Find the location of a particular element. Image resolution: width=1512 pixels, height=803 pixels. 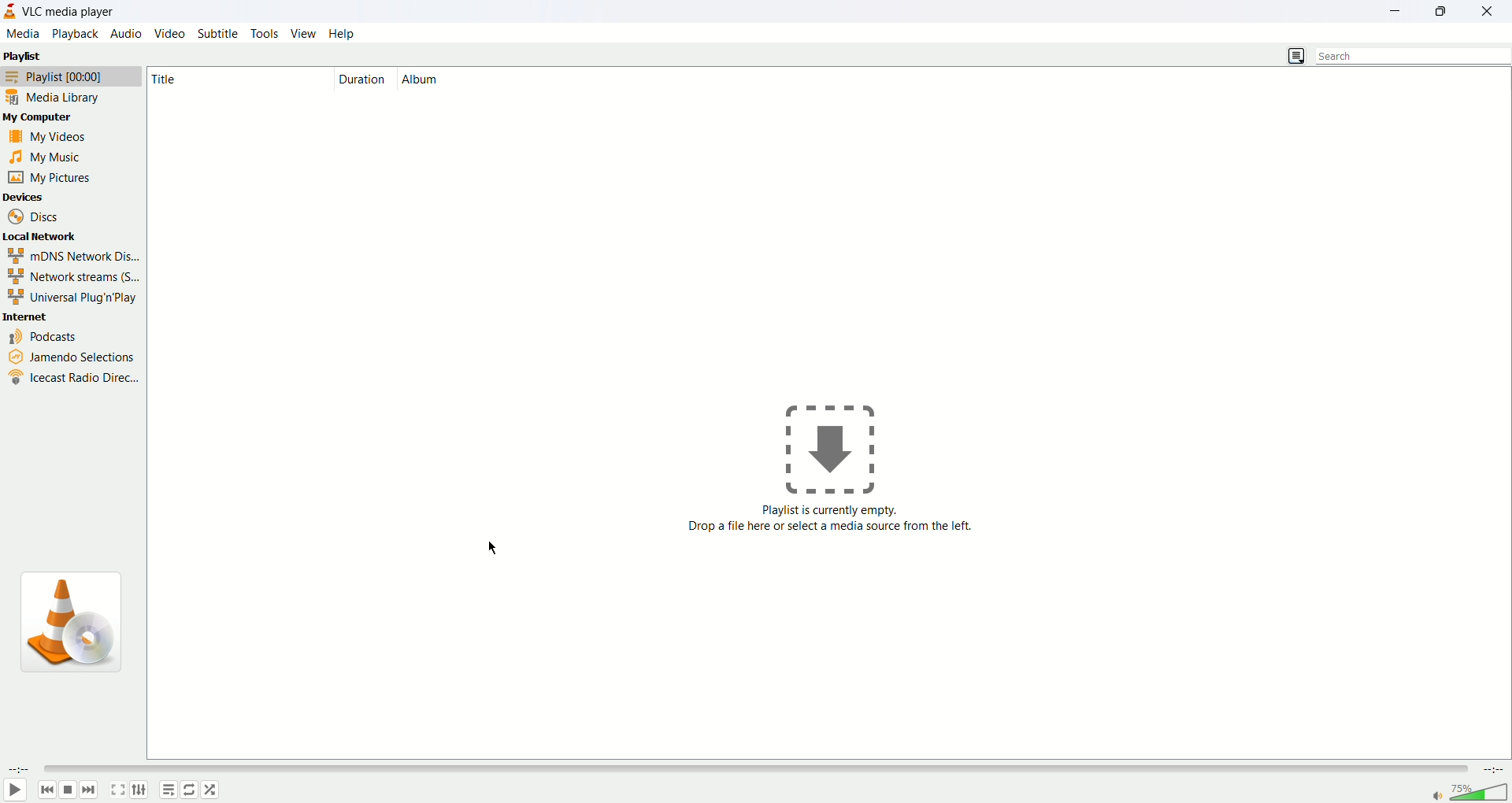

cursor is located at coordinates (494, 550).